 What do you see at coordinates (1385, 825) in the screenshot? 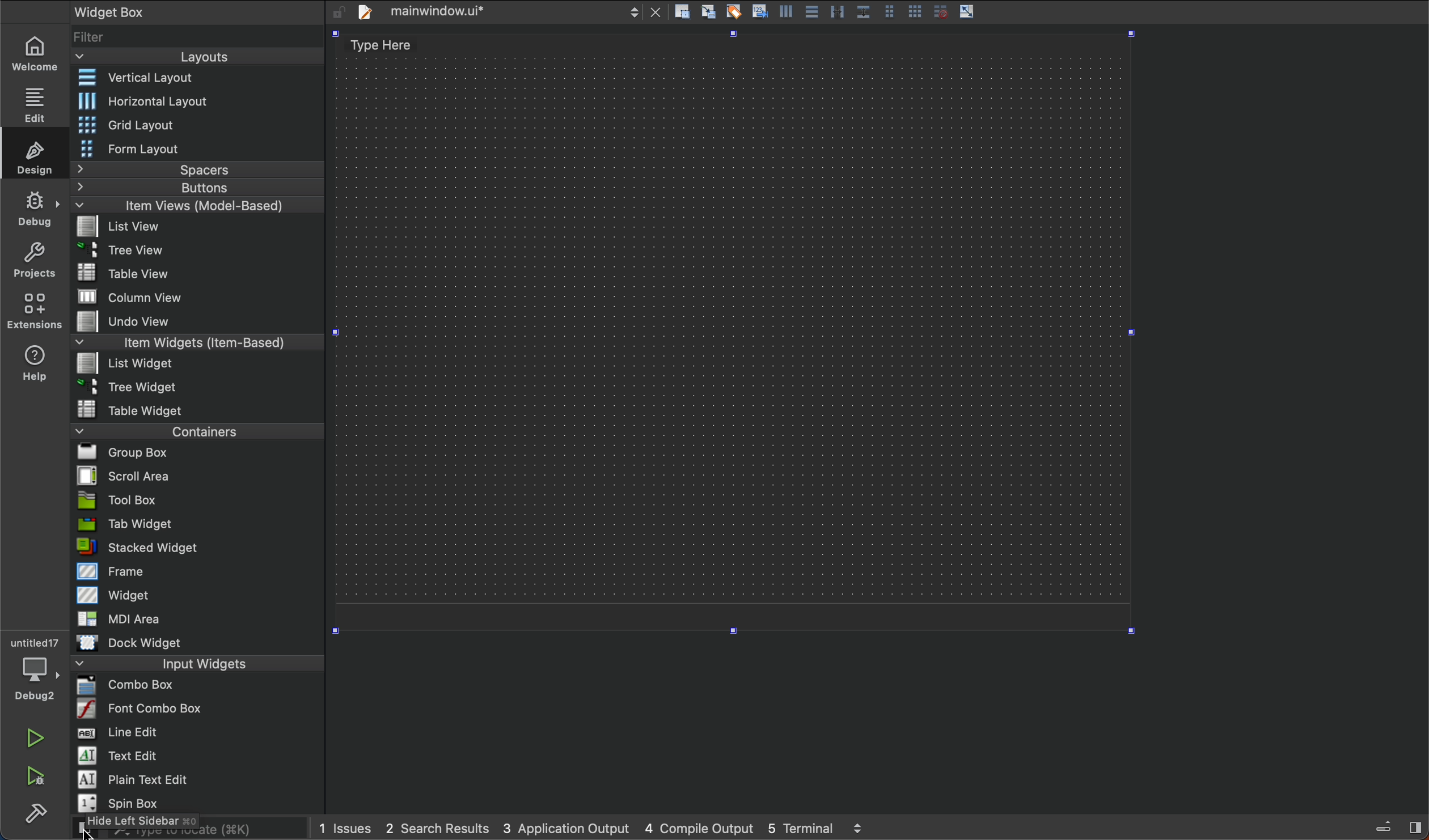
I see `` at bounding box center [1385, 825].